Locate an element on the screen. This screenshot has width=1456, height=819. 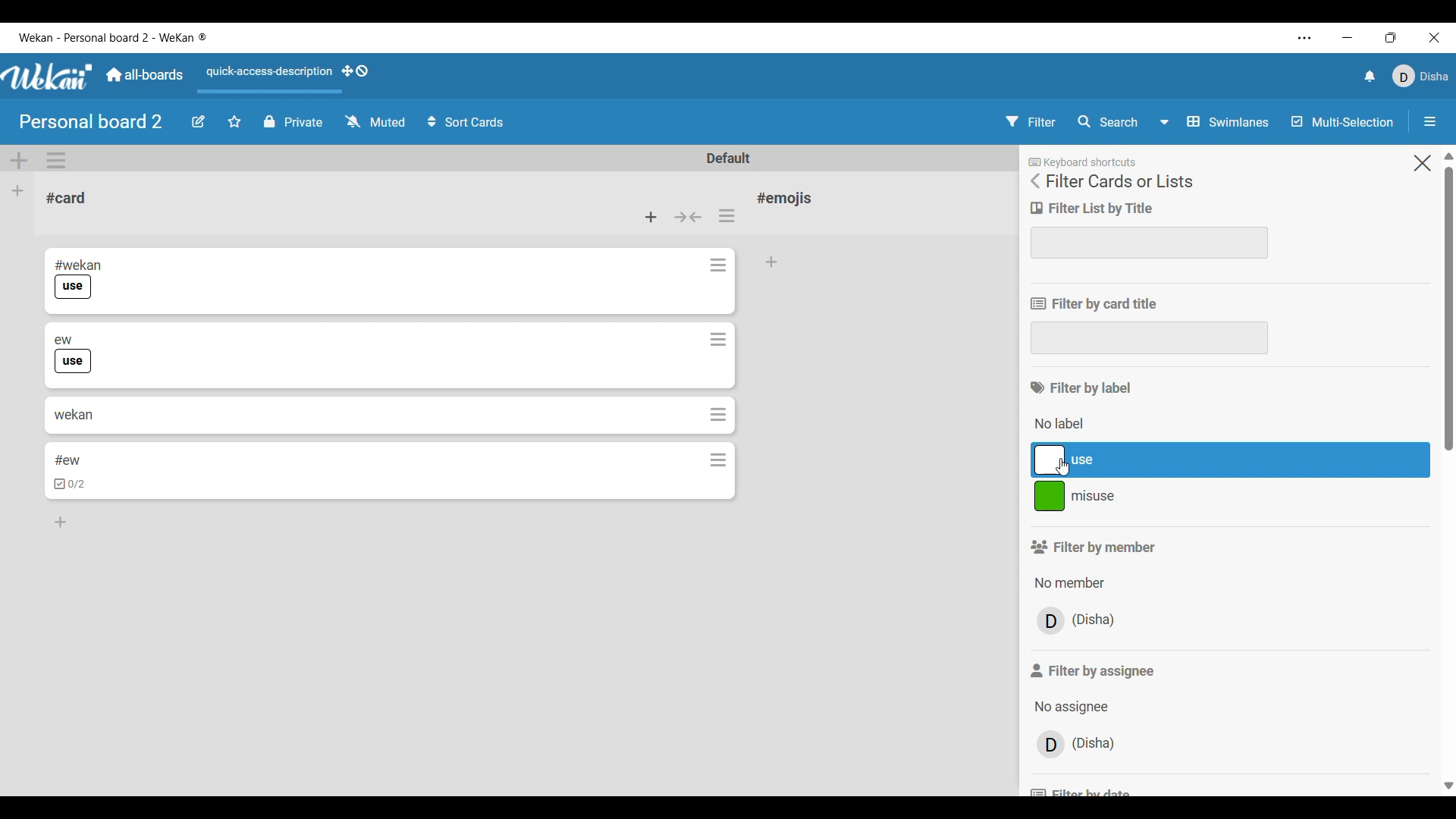
checkbox  is located at coordinates (71, 485).